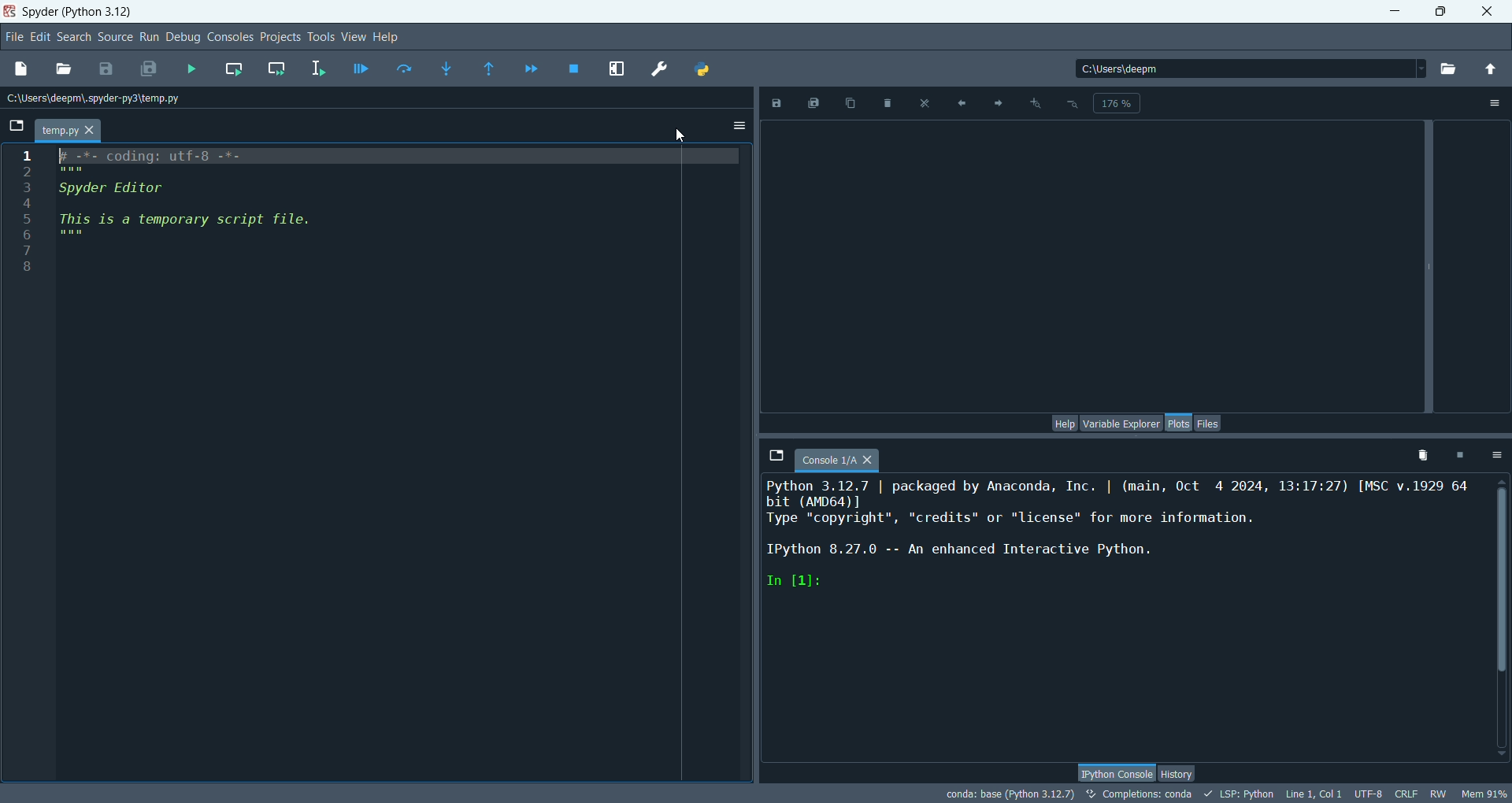 This screenshot has width=1512, height=803. What do you see at coordinates (891, 102) in the screenshot?
I see `remove plot` at bounding box center [891, 102].